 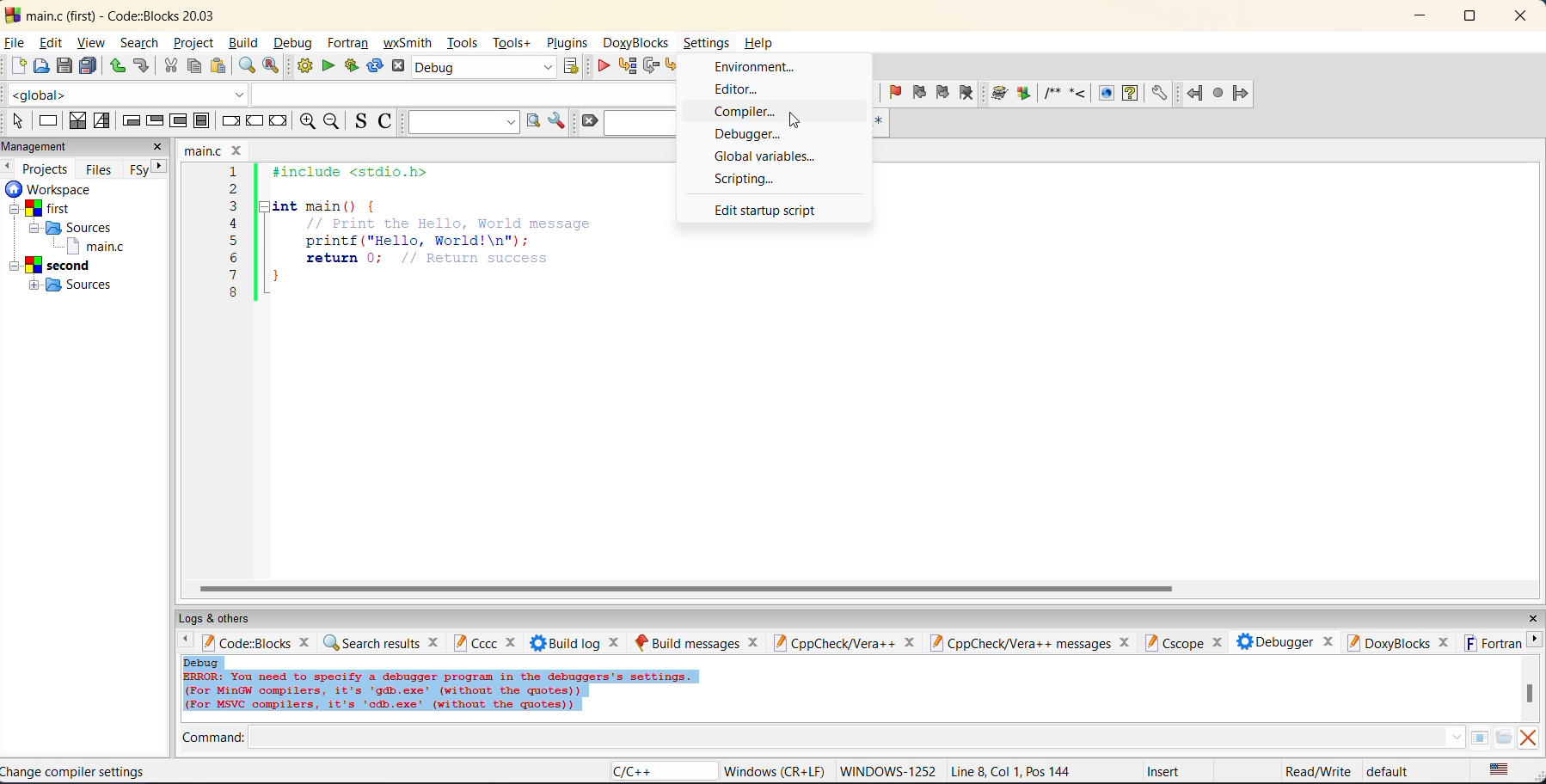 What do you see at coordinates (1469, 17) in the screenshot?
I see `maximize` at bounding box center [1469, 17].